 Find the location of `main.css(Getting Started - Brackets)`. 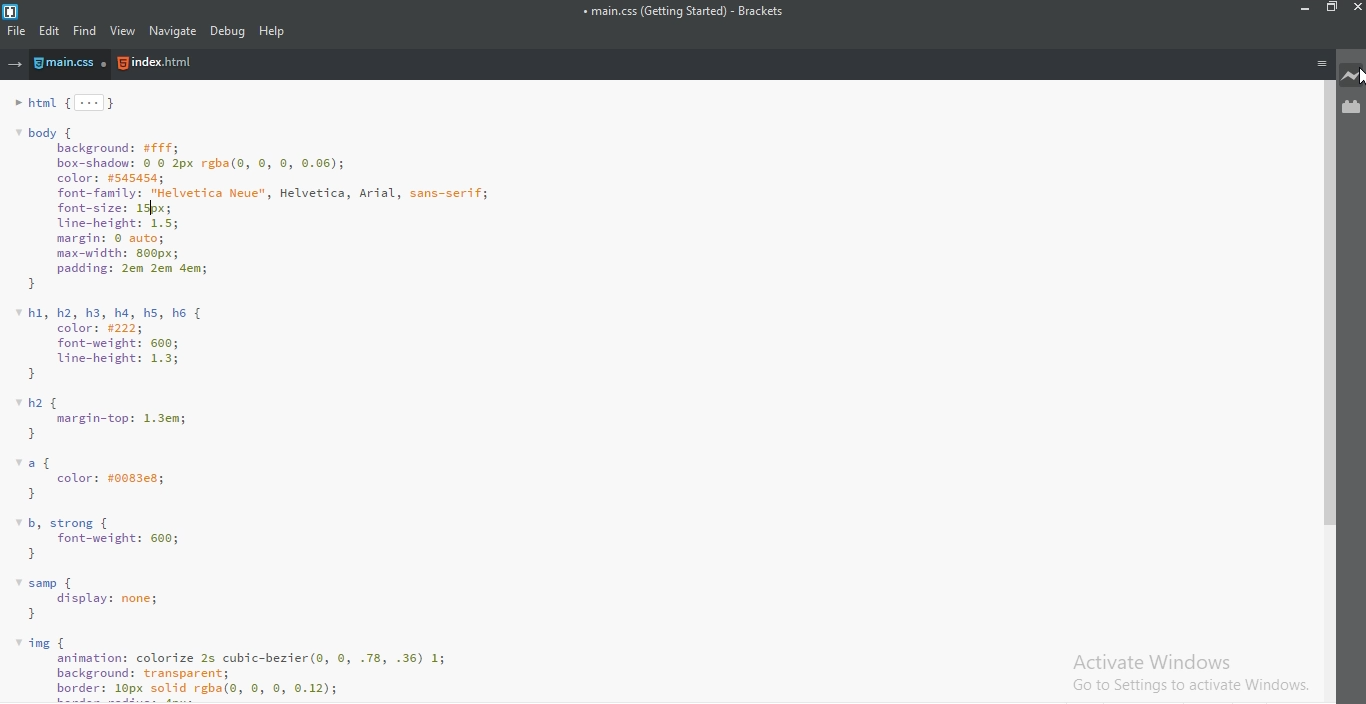

main.css(Getting Started - Brackets) is located at coordinates (682, 12).